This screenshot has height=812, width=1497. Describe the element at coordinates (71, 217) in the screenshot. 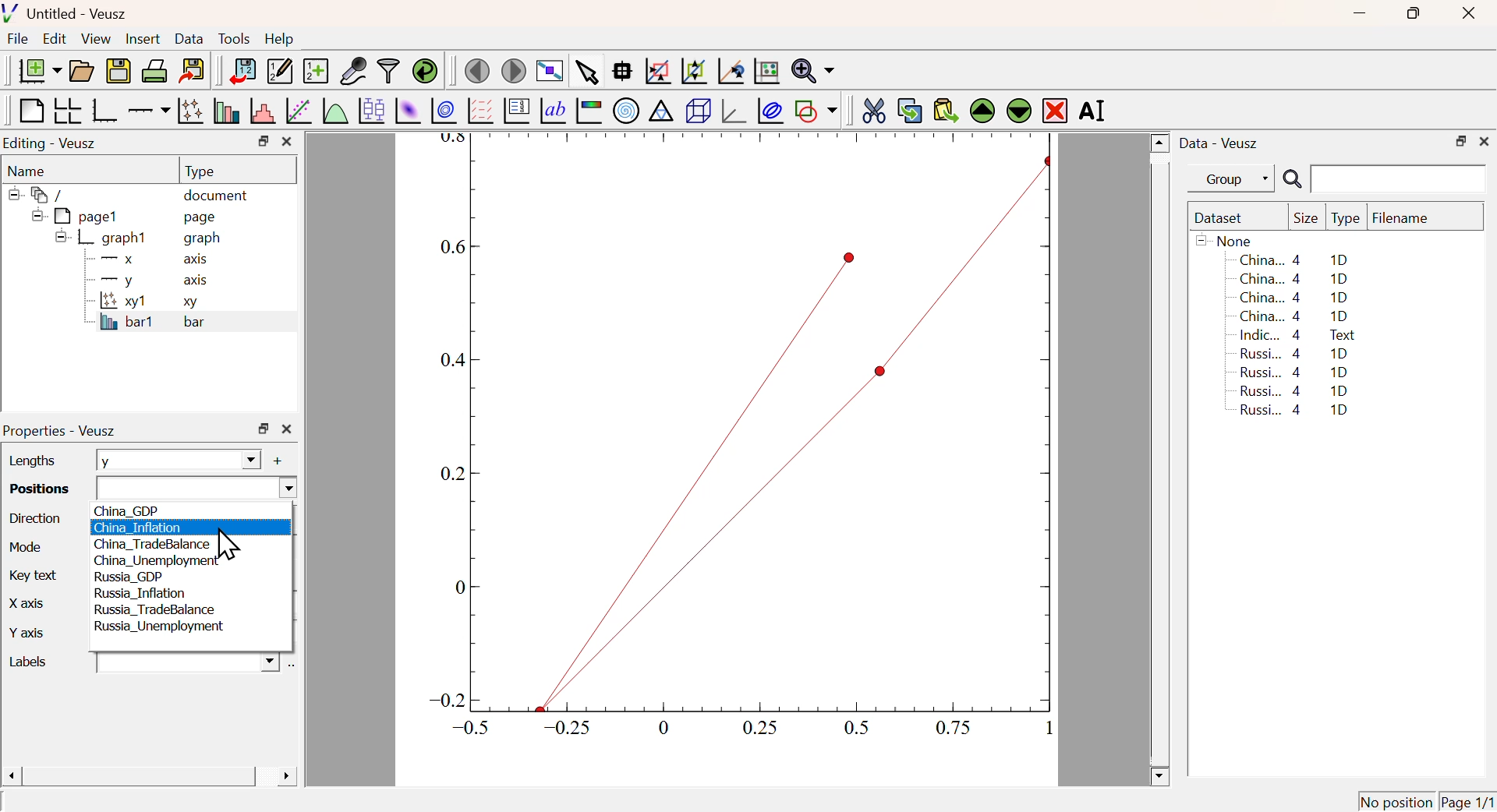

I see `pagel` at that location.